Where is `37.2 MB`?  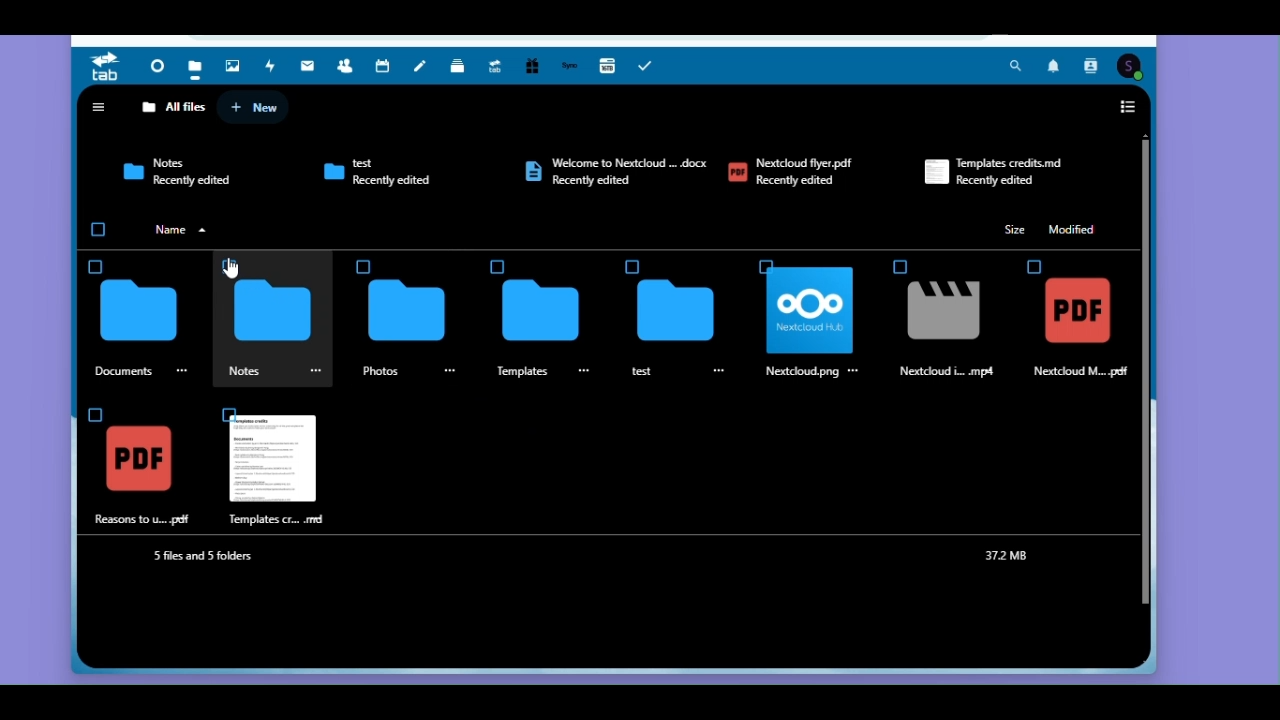
37.2 MB is located at coordinates (1011, 557).